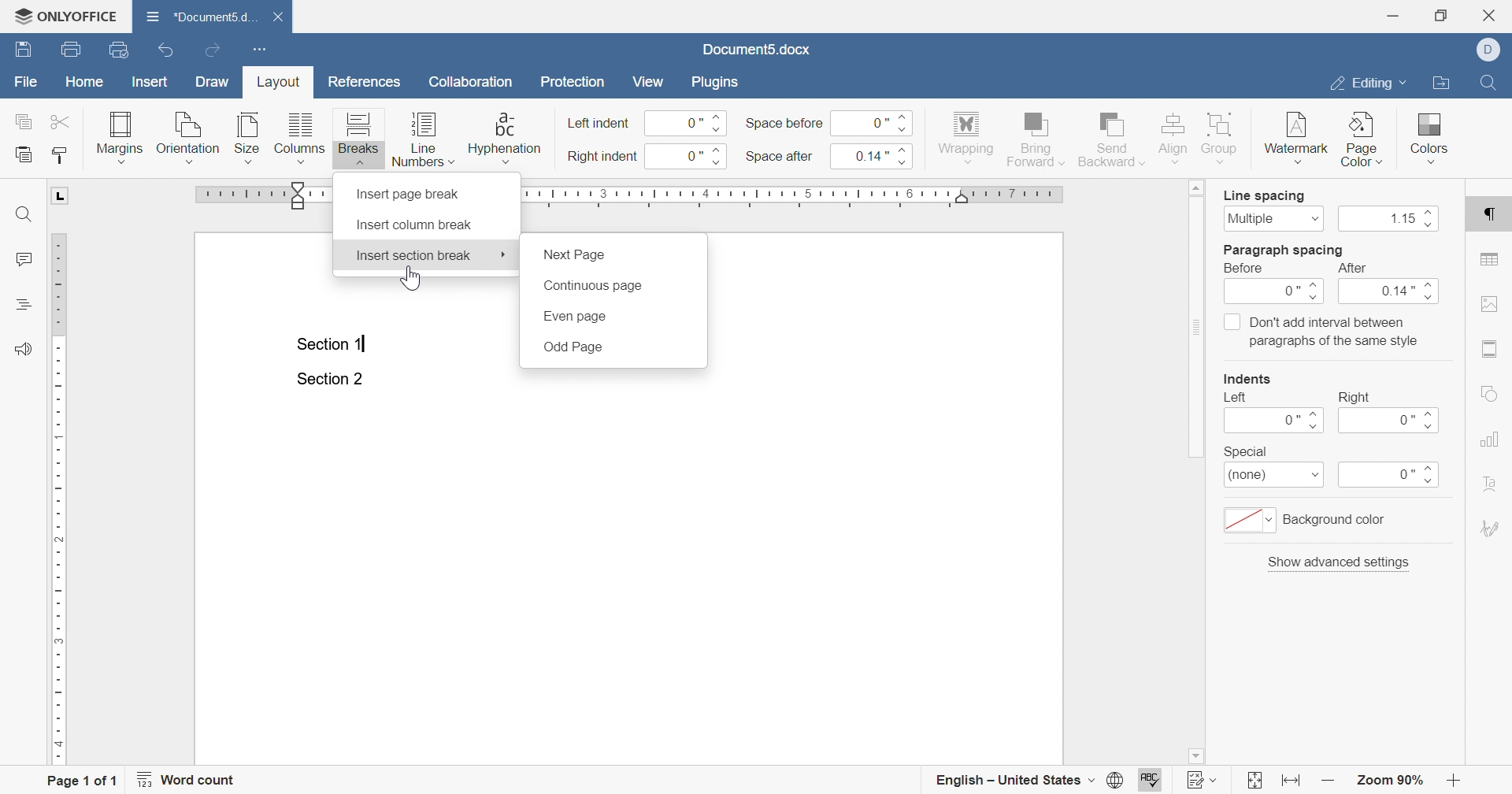 This screenshot has width=1512, height=794. What do you see at coordinates (21, 305) in the screenshot?
I see `headings` at bounding box center [21, 305].